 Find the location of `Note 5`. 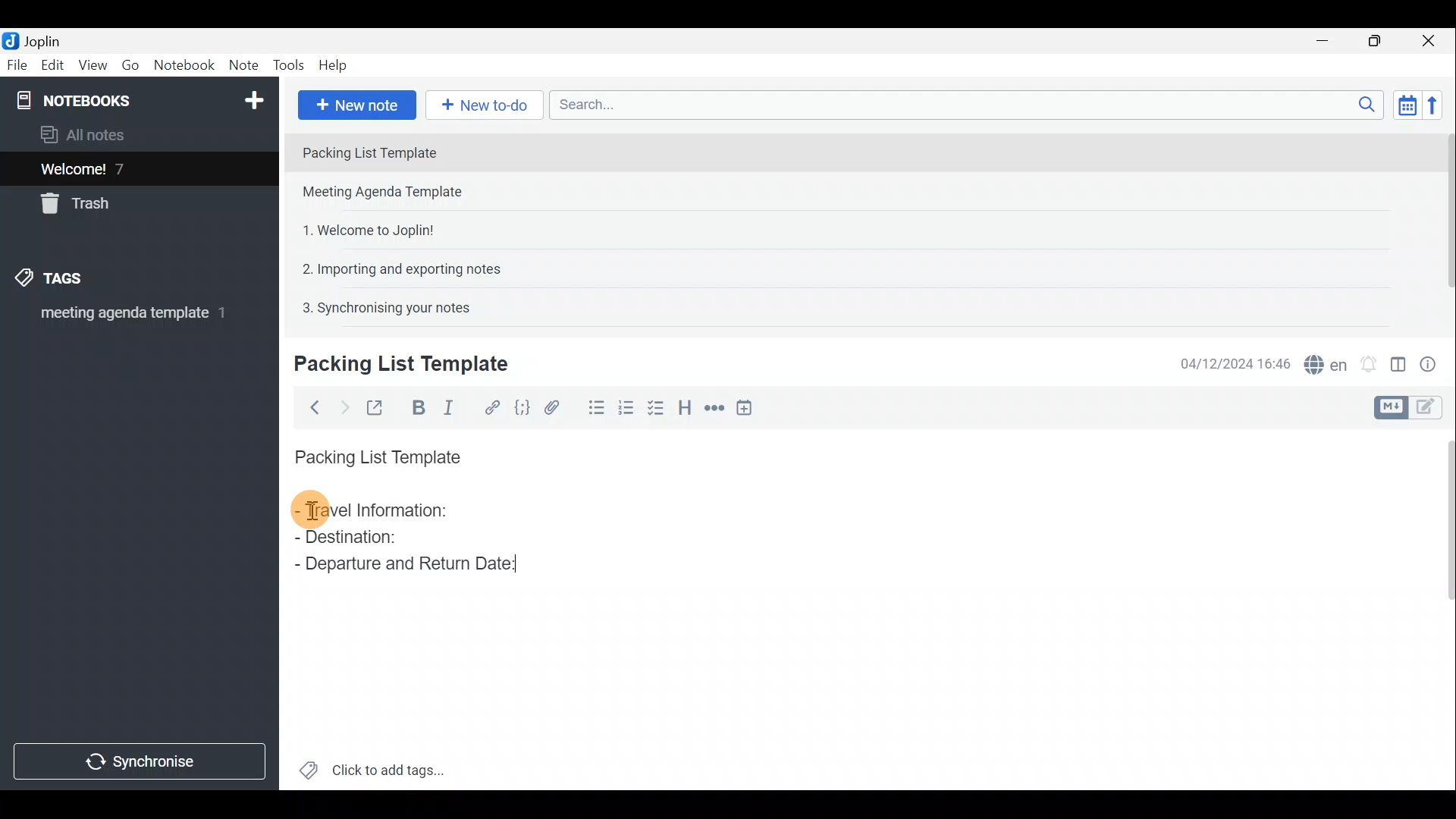

Note 5 is located at coordinates (380, 306).